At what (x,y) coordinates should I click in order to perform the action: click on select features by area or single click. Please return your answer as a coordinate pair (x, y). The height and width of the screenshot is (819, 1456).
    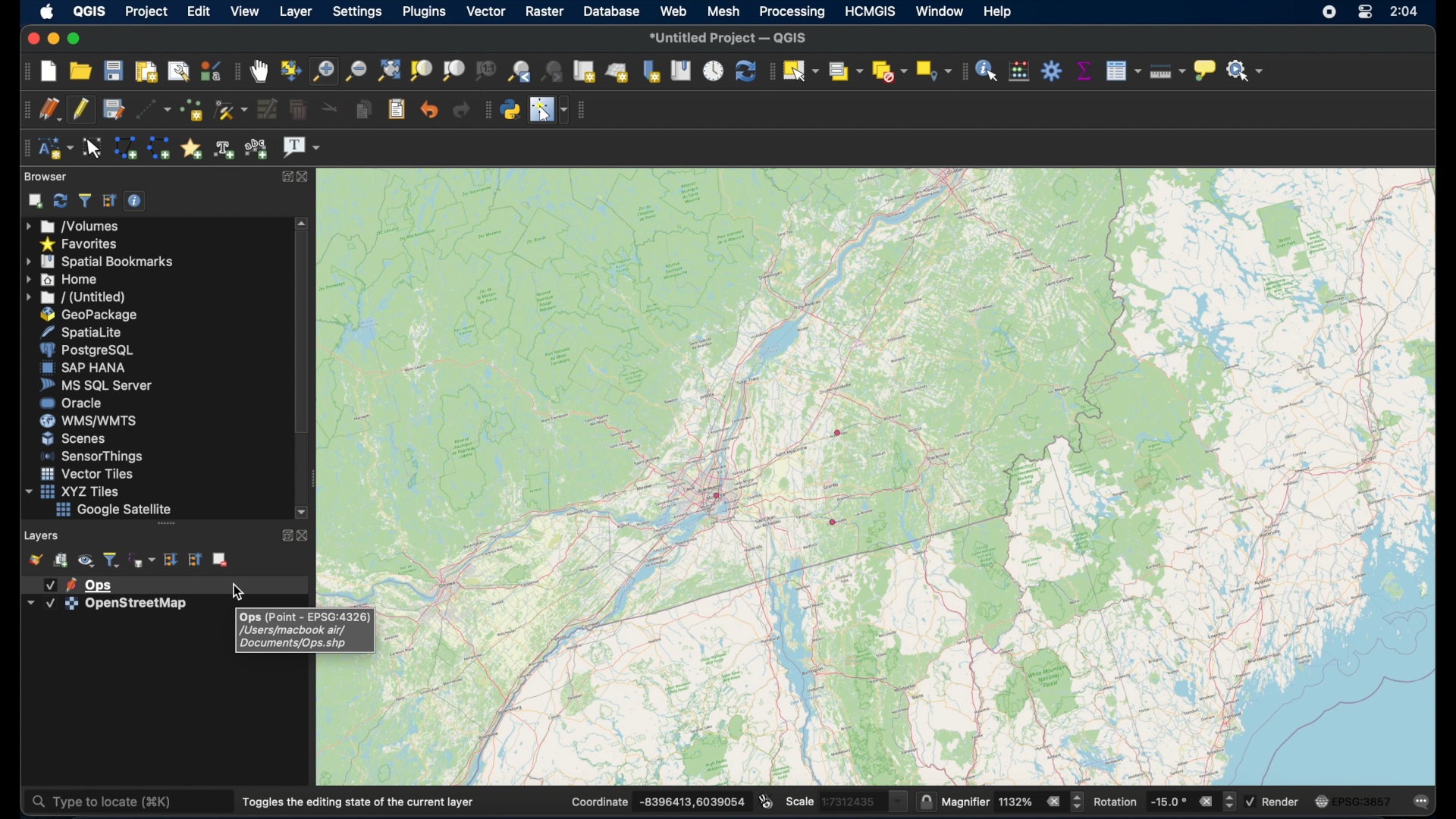
    Looking at the image, I should click on (799, 69).